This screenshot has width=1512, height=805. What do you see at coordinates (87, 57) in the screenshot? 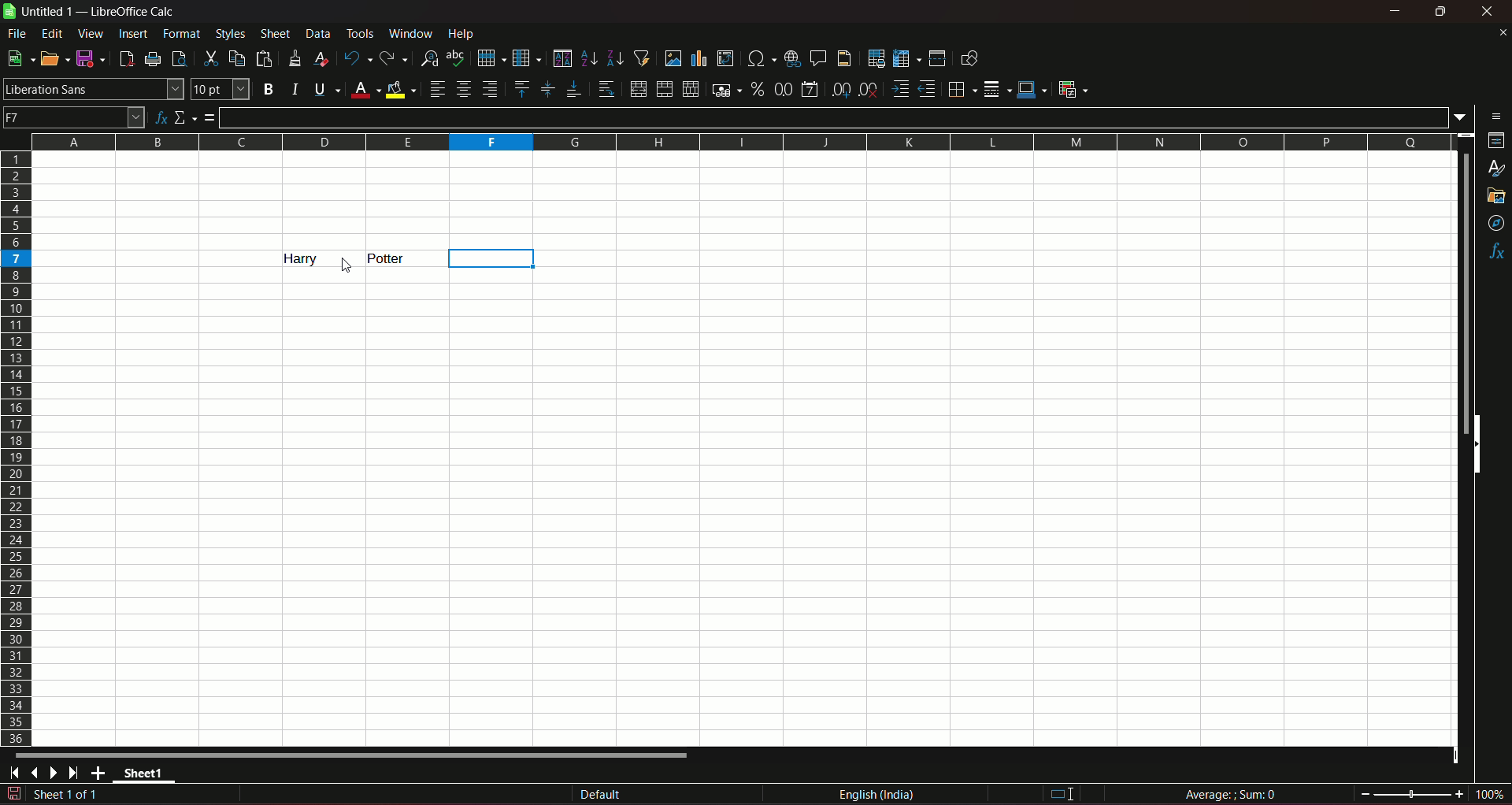
I see `save` at bounding box center [87, 57].